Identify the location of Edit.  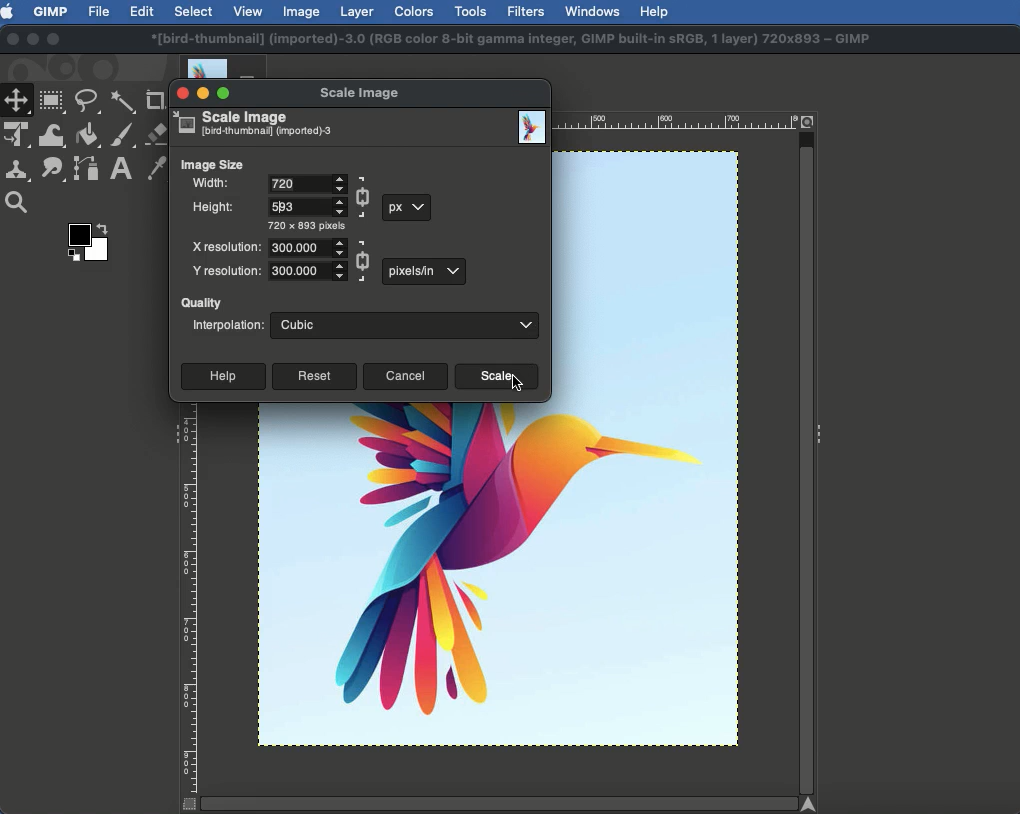
(141, 11).